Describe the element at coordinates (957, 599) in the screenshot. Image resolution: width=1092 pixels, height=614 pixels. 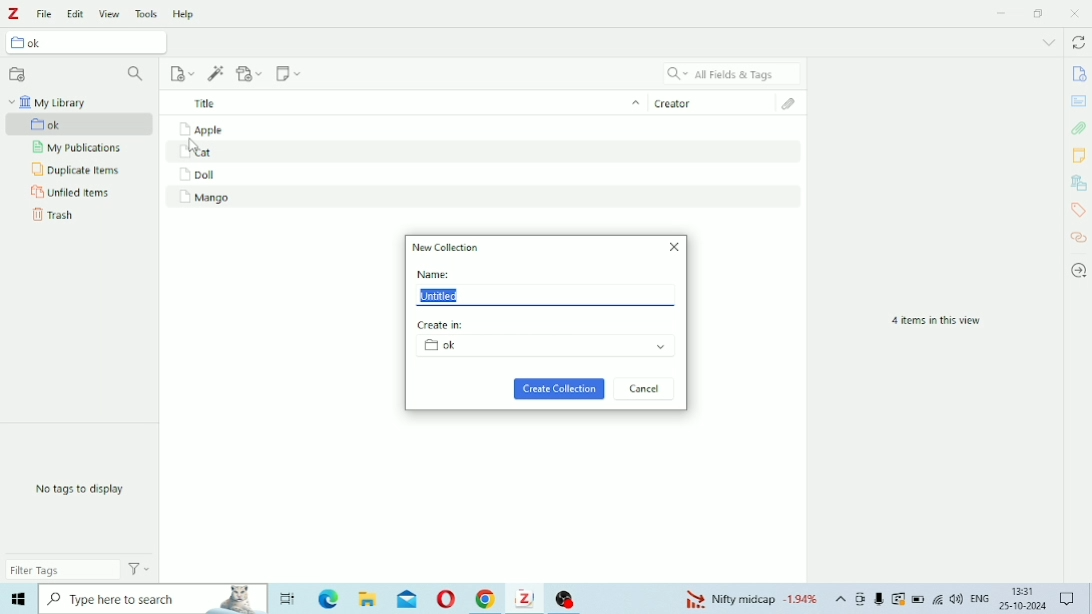
I see `Speakers` at that location.